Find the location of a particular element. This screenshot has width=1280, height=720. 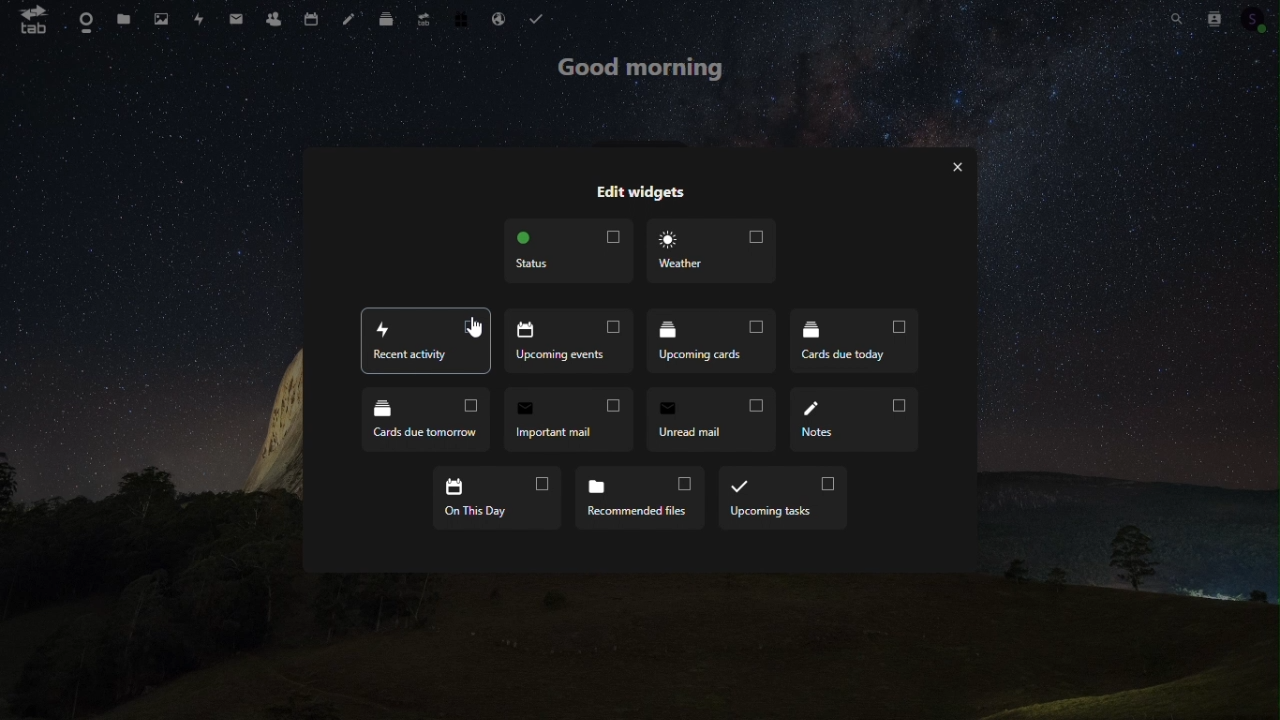

Status is located at coordinates (569, 251).